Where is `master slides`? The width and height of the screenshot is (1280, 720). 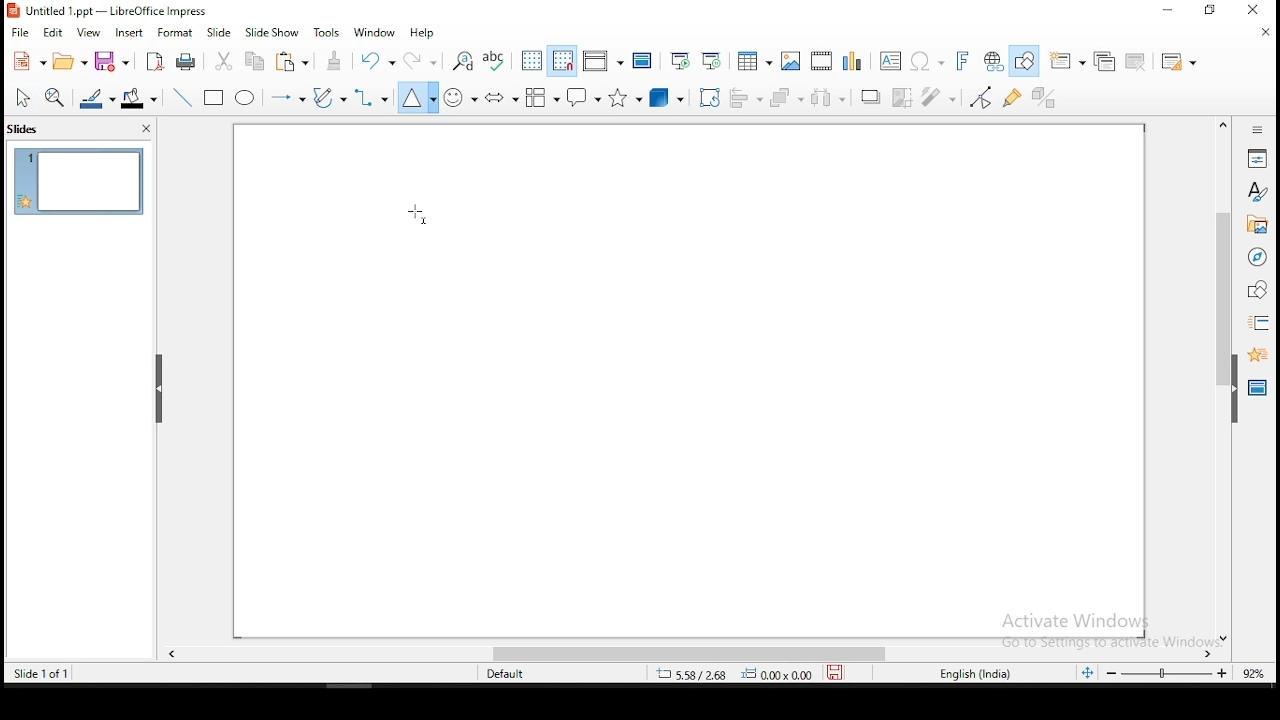 master slides is located at coordinates (1255, 391).